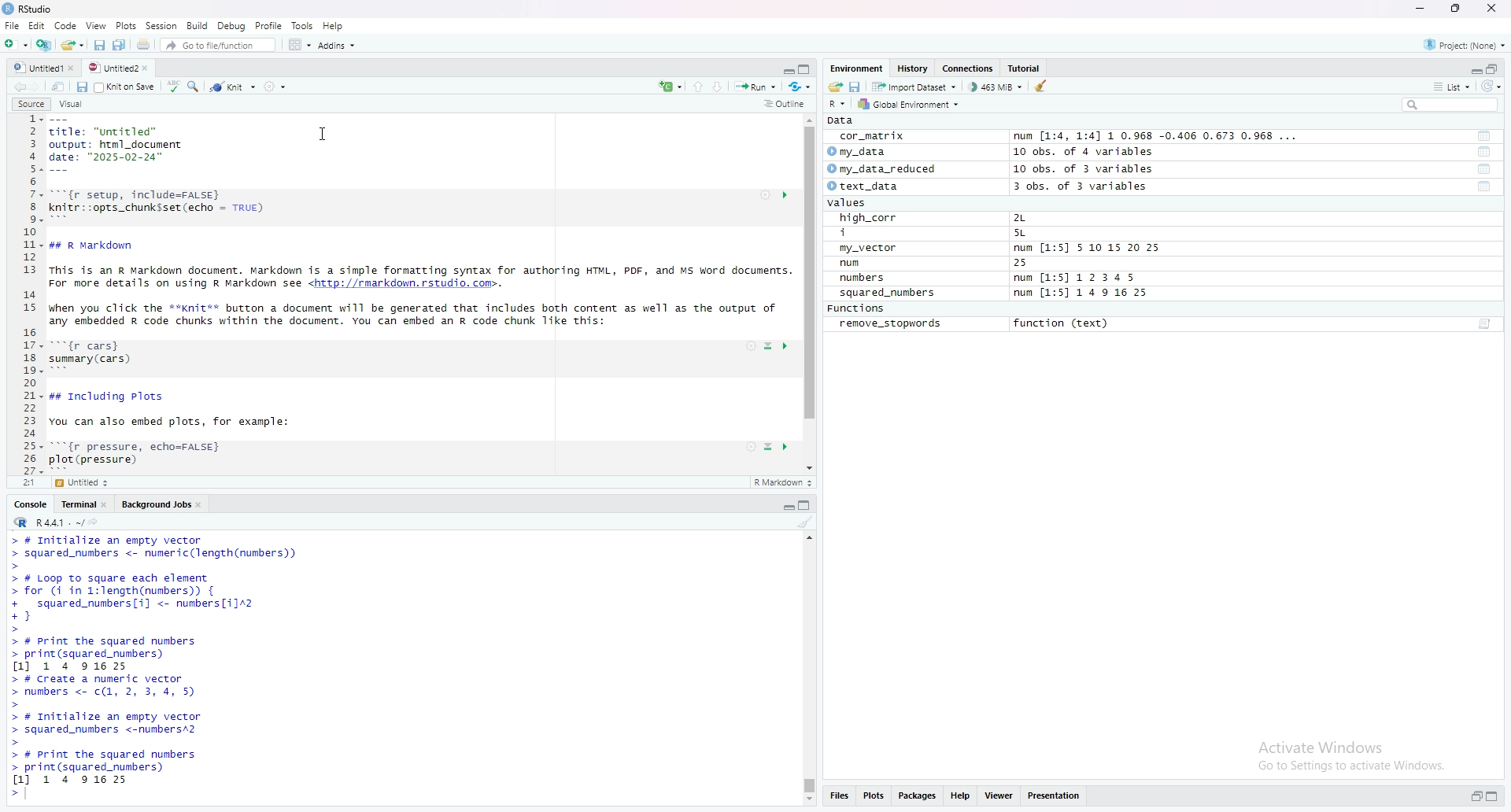  I want to click on Settings, so click(274, 87).